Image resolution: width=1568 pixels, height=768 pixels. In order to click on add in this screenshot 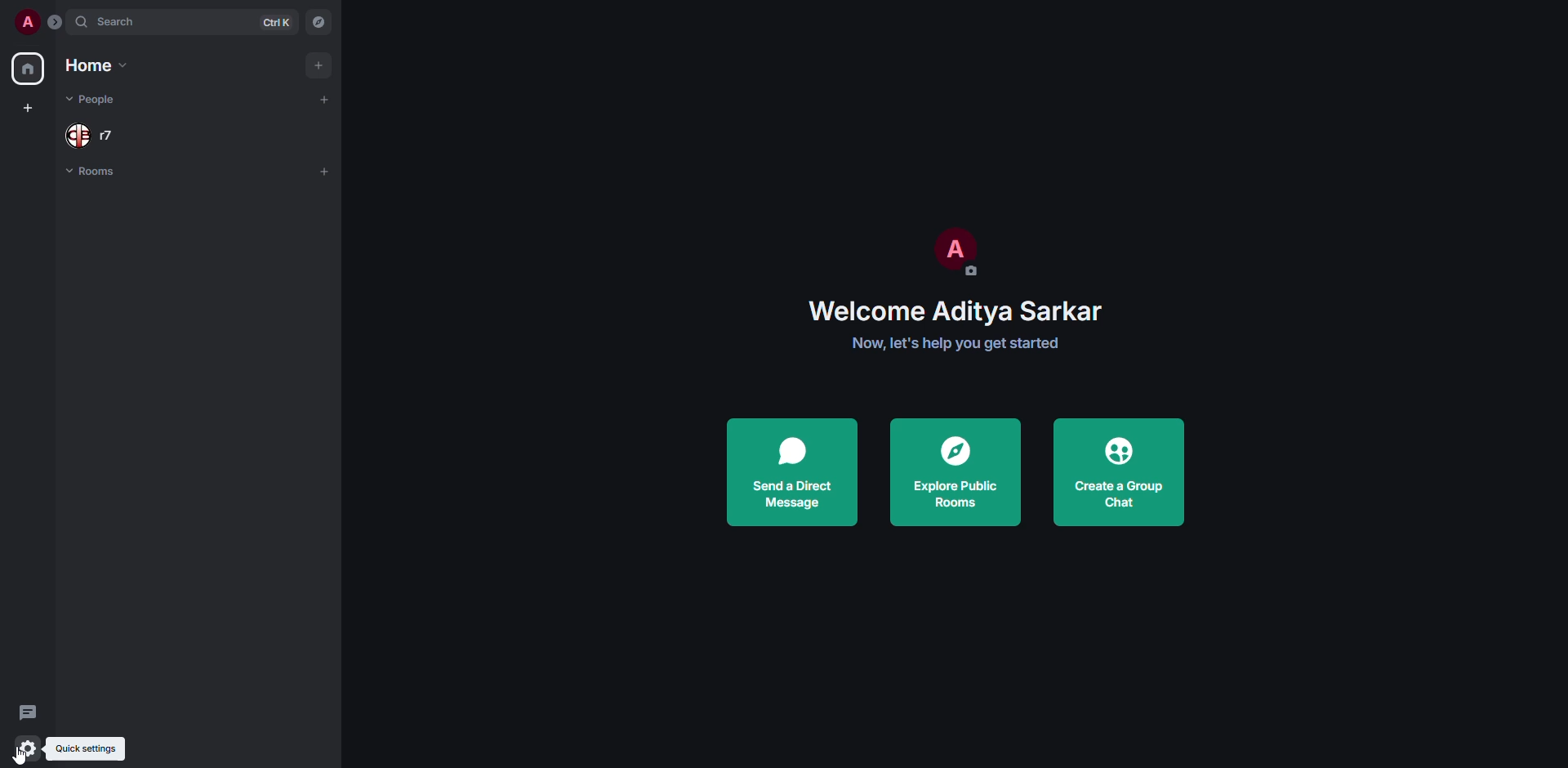, I will do `click(327, 96)`.